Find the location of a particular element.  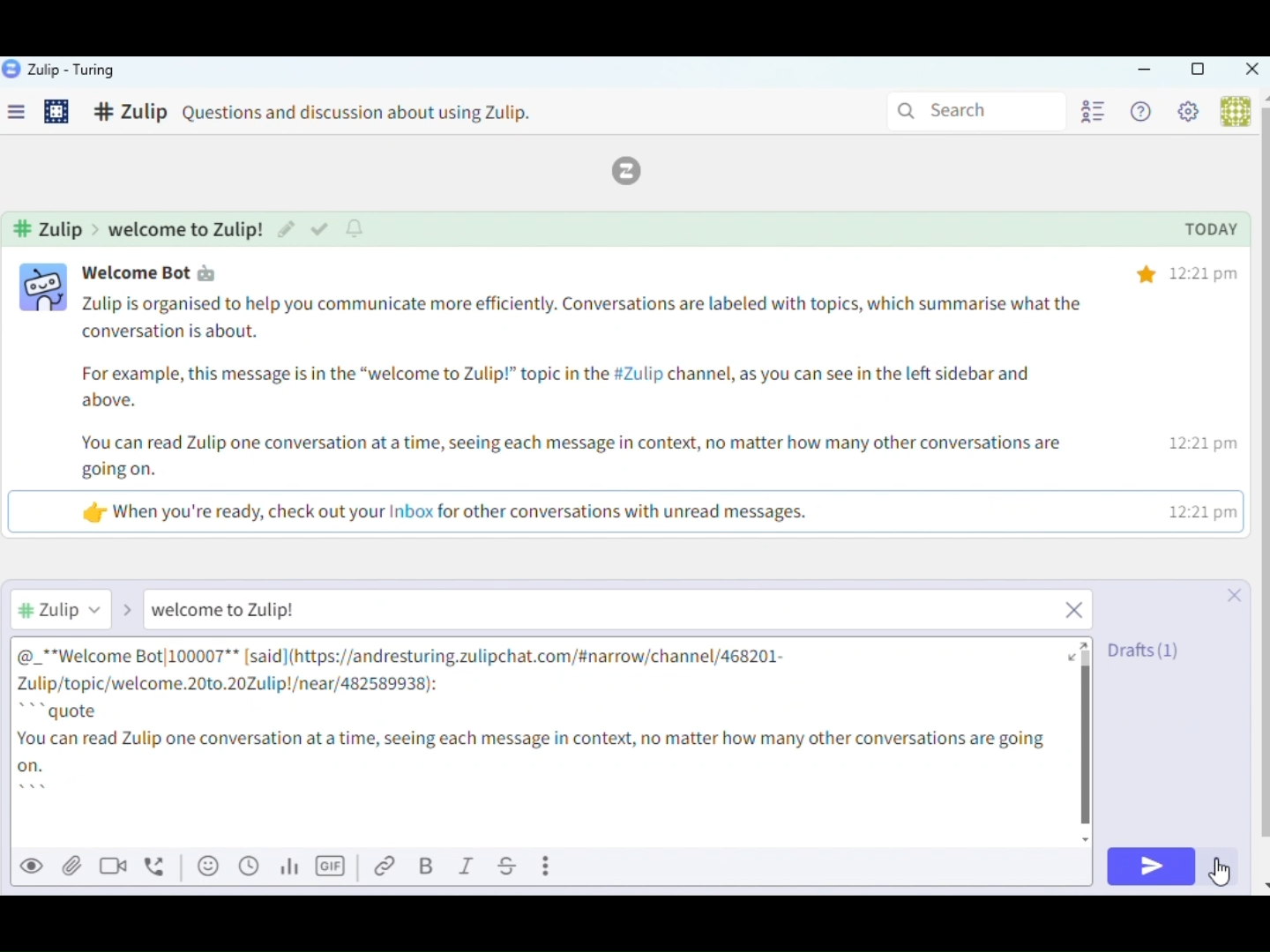

User is located at coordinates (78, 608).